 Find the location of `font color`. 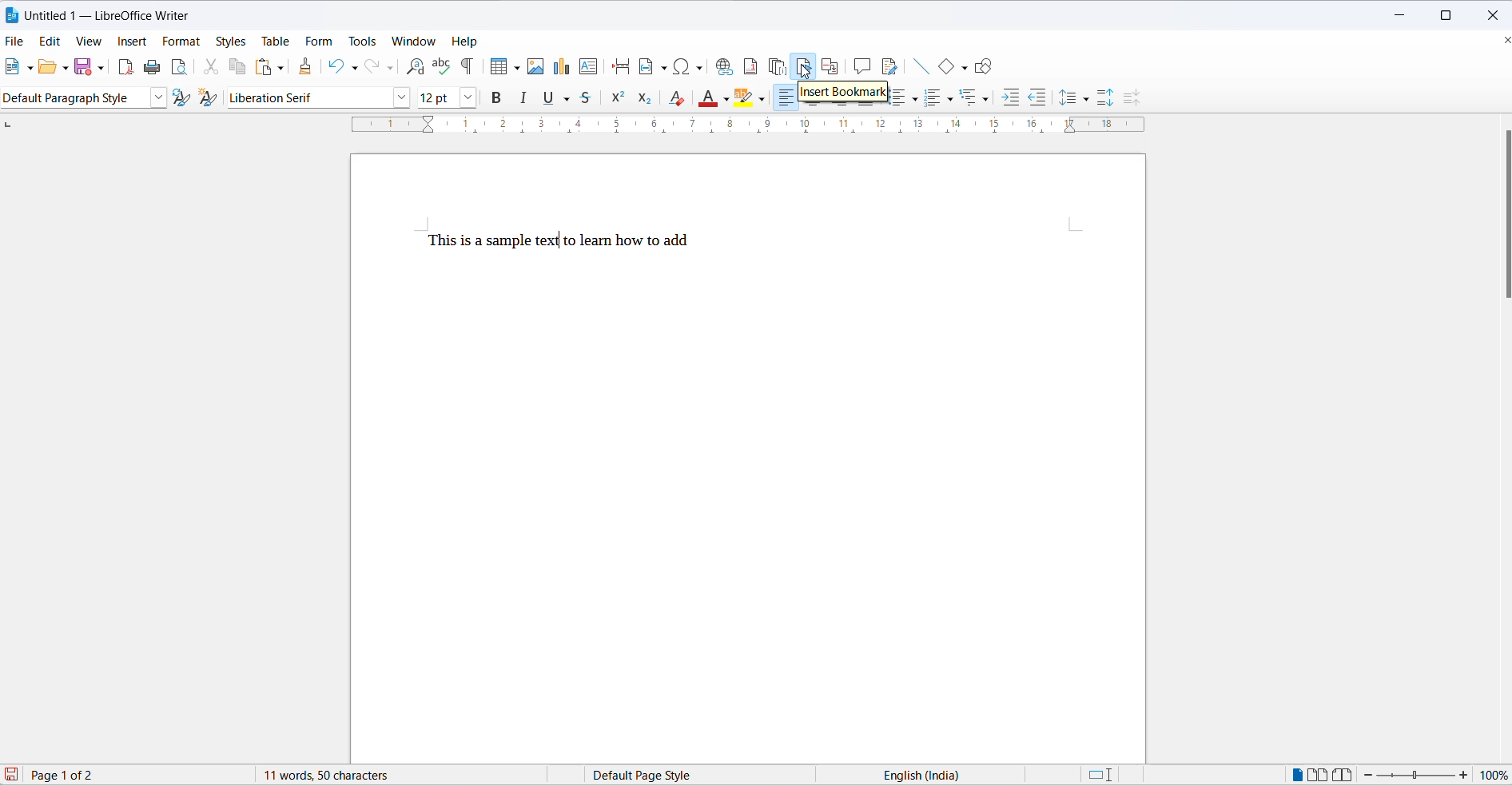

font color is located at coordinates (710, 98).